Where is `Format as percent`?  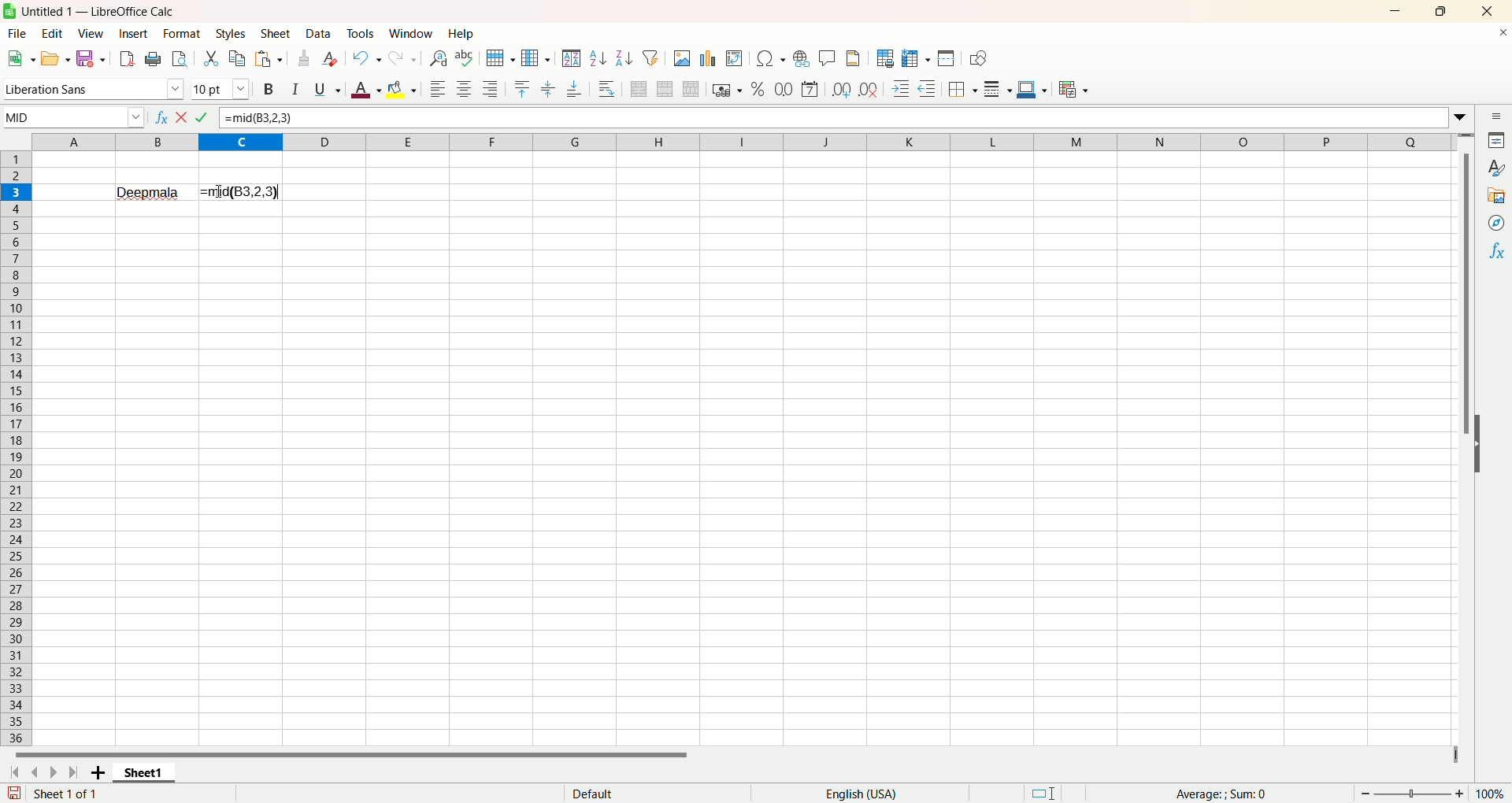
Format as percent is located at coordinates (758, 89).